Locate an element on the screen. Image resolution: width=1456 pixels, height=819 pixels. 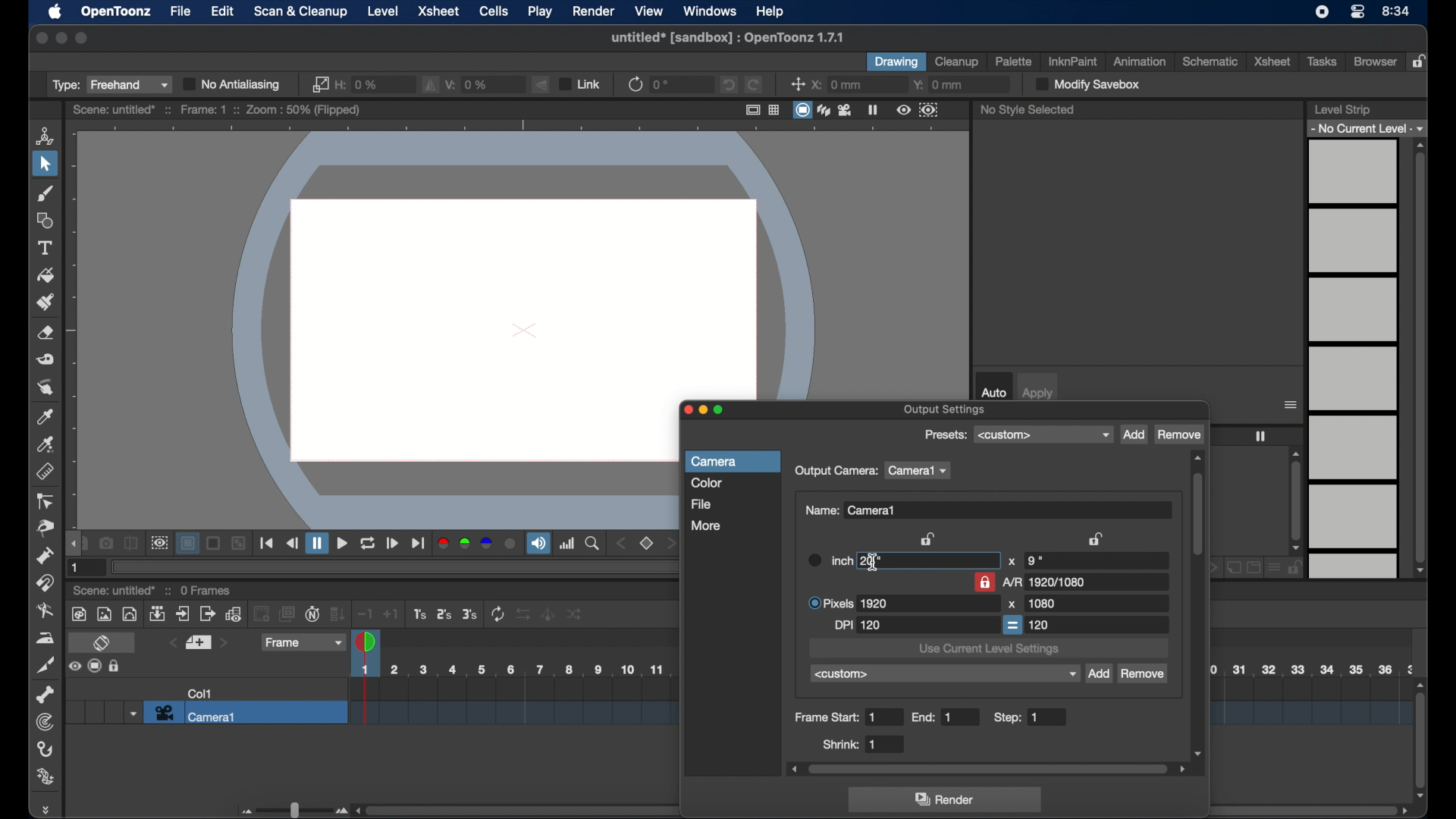
 is located at coordinates (548, 613).